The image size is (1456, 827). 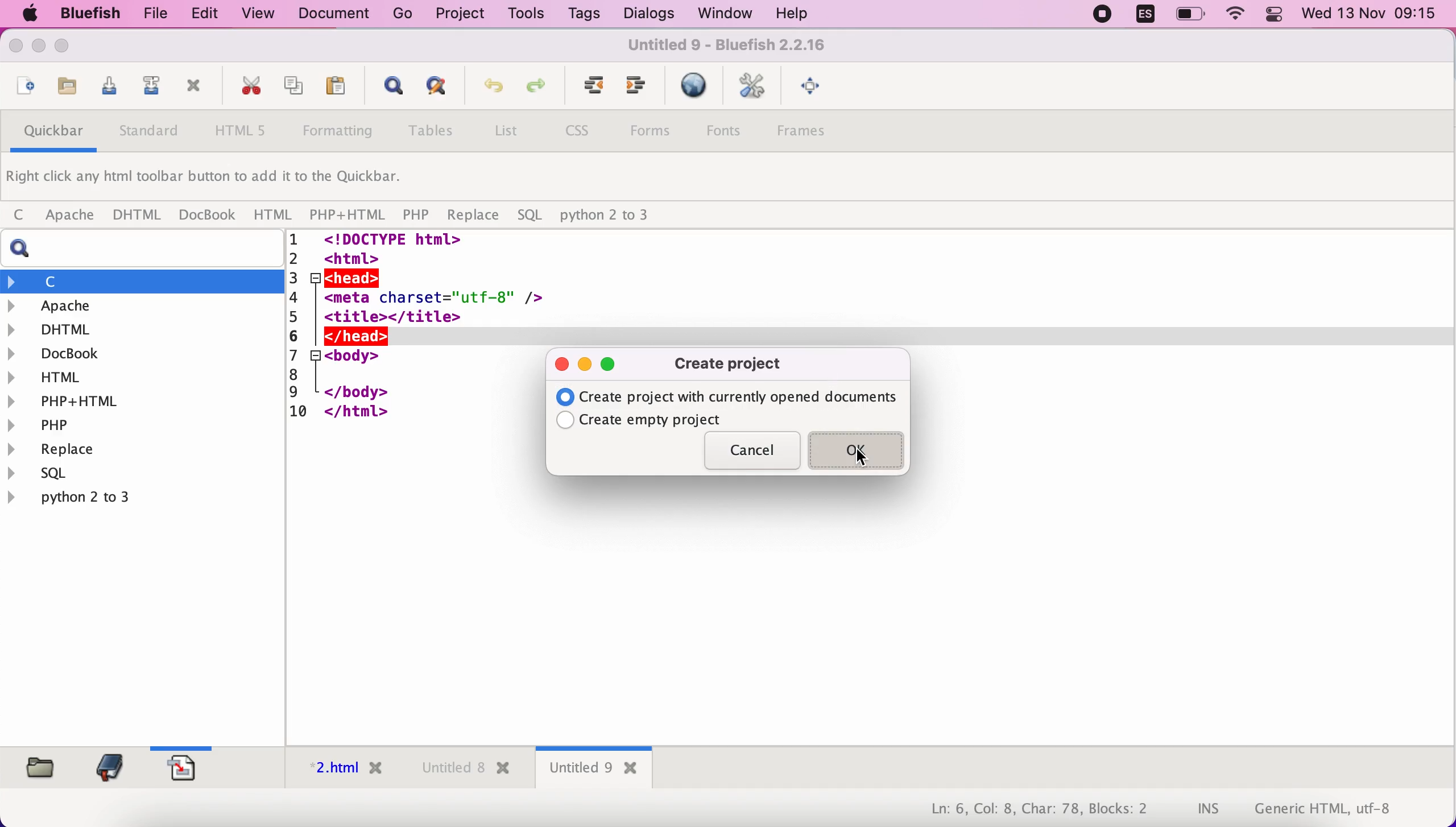 I want to click on show find bar, so click(x=388, y=89).